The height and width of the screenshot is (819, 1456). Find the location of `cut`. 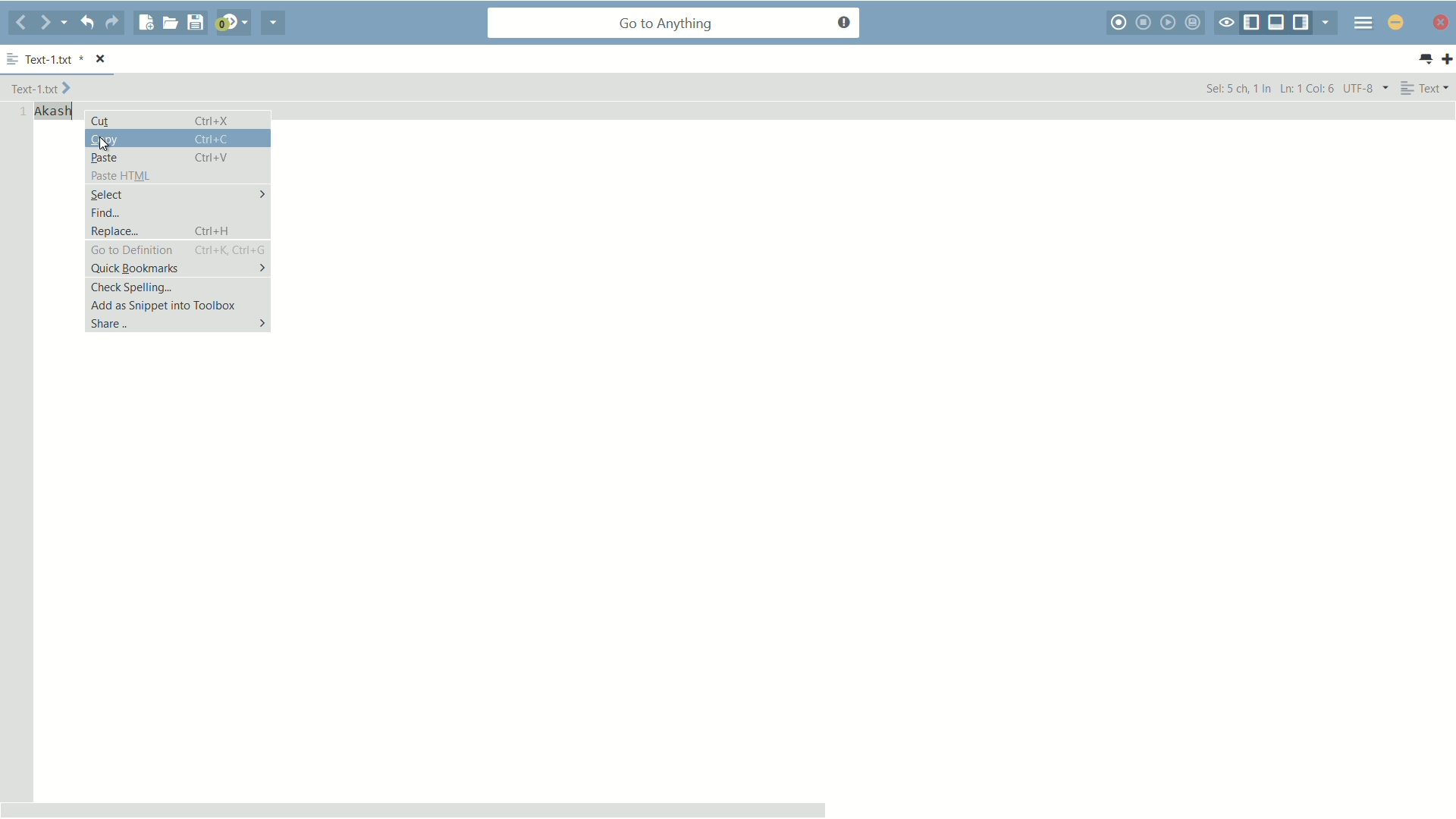

cut is located at coordinates (178, 120).